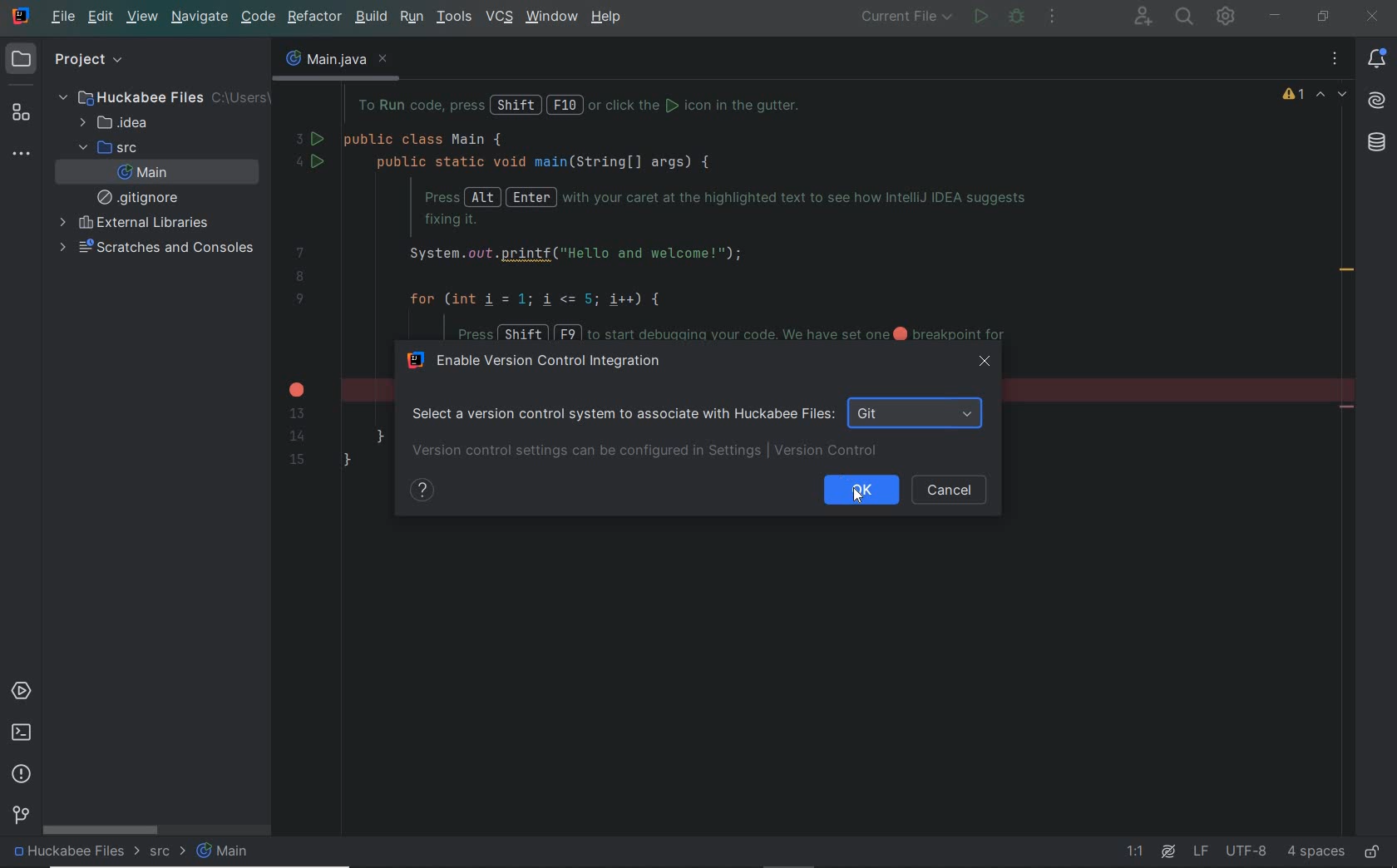  I want to click on enable version control integration, so click(536, 360).